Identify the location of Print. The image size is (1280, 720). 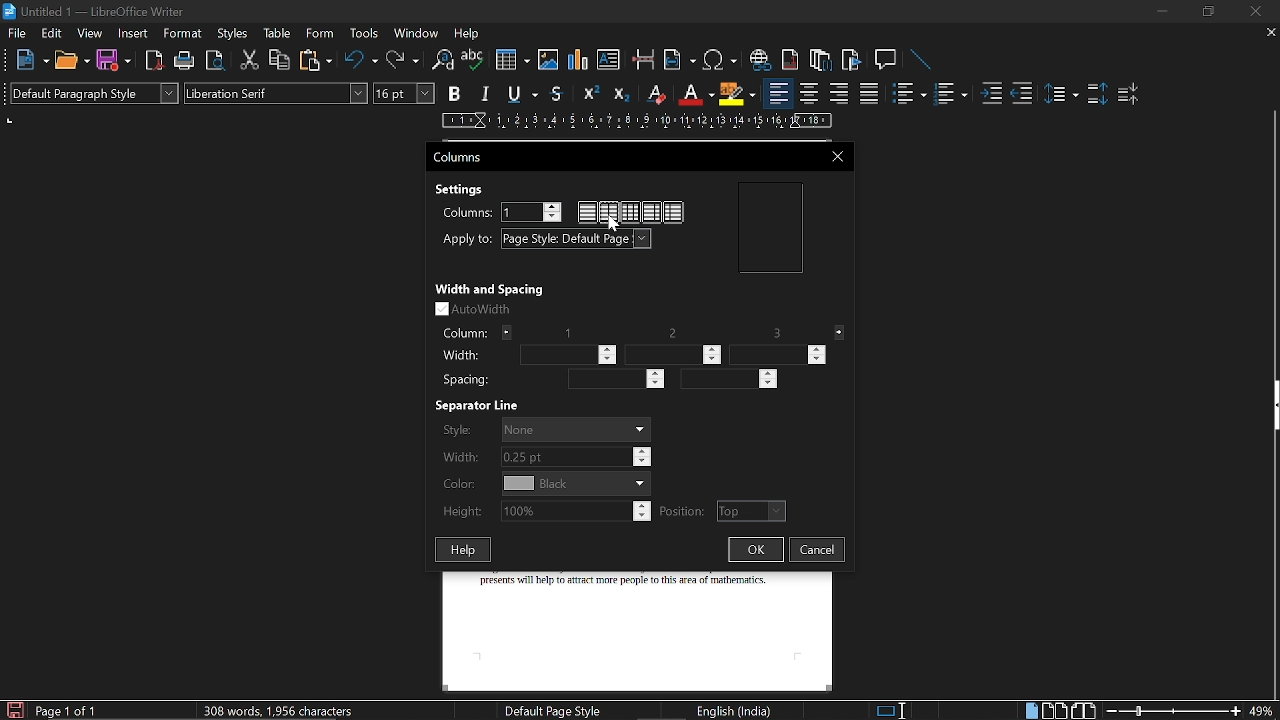
(186, 62).